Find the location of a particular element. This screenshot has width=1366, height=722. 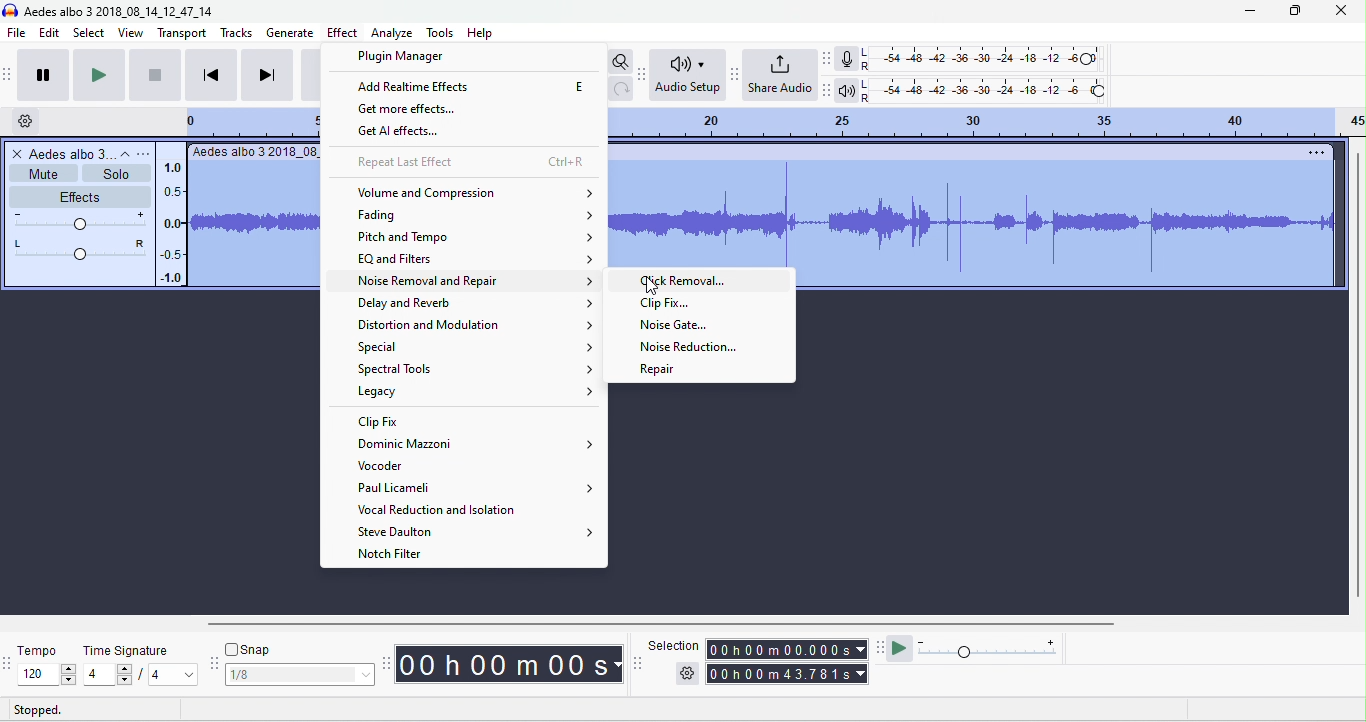

noise reduction is located at coordinates (693, 349).